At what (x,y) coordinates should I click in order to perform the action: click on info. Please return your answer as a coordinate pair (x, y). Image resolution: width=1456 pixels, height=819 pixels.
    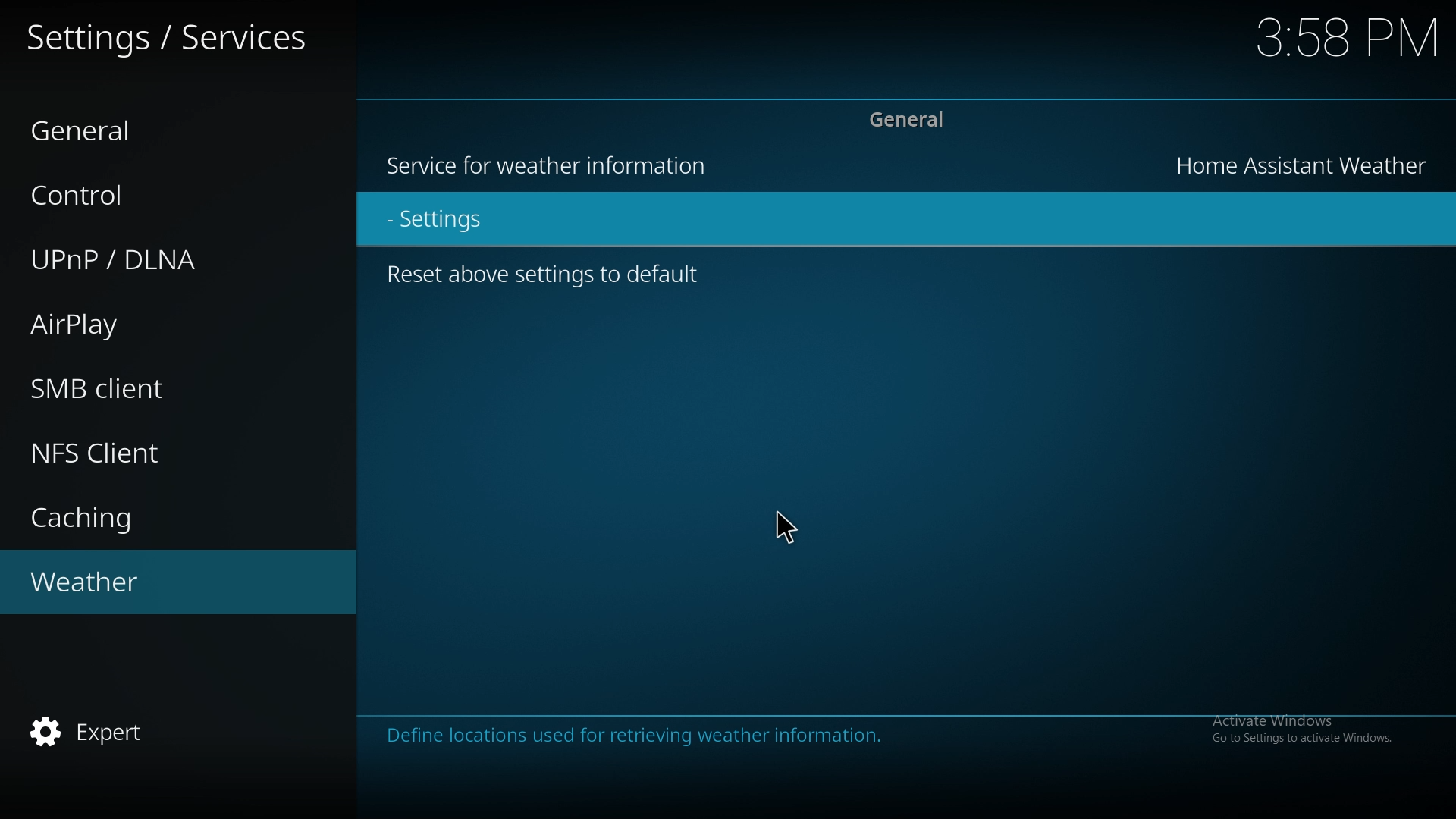
    Looking at the image, I should click on (720, 735).